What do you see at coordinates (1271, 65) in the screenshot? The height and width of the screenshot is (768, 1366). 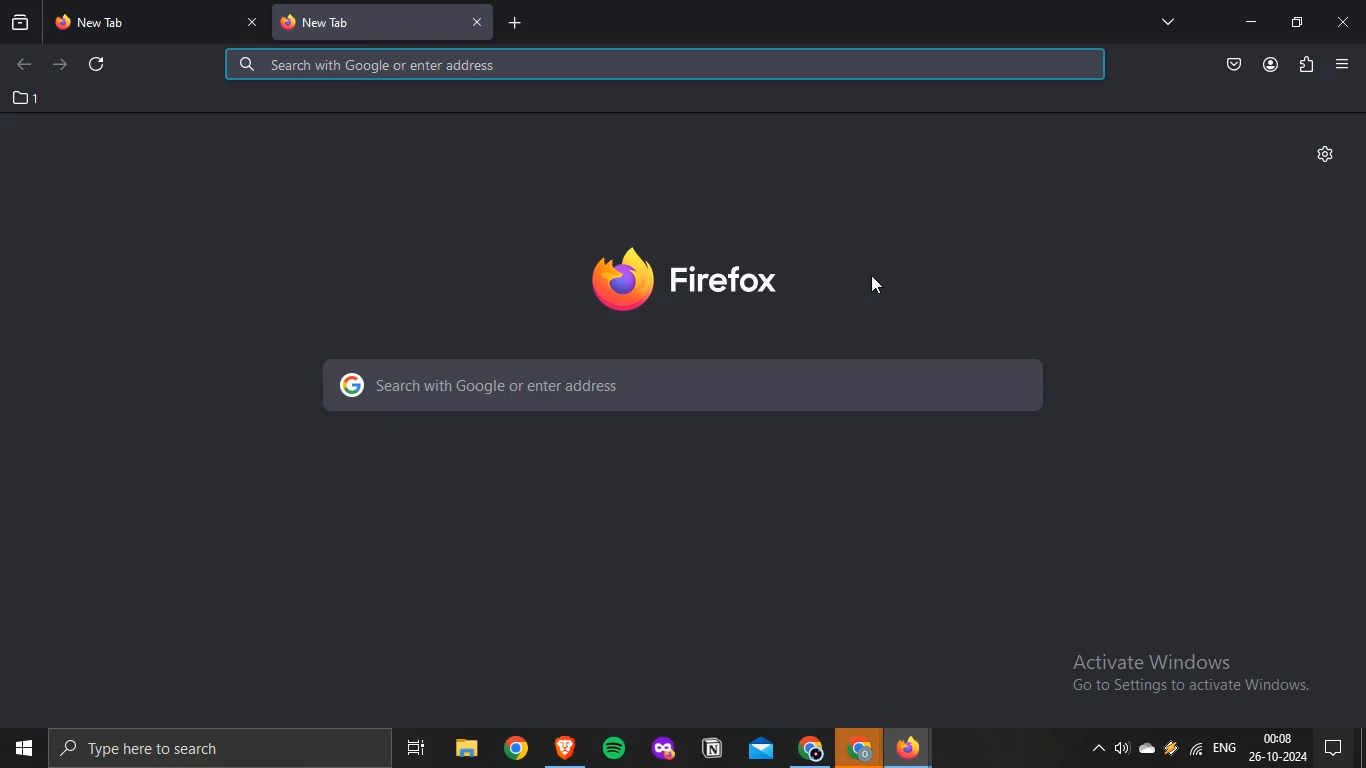 I see `account` at bounding box center [1271, 65].